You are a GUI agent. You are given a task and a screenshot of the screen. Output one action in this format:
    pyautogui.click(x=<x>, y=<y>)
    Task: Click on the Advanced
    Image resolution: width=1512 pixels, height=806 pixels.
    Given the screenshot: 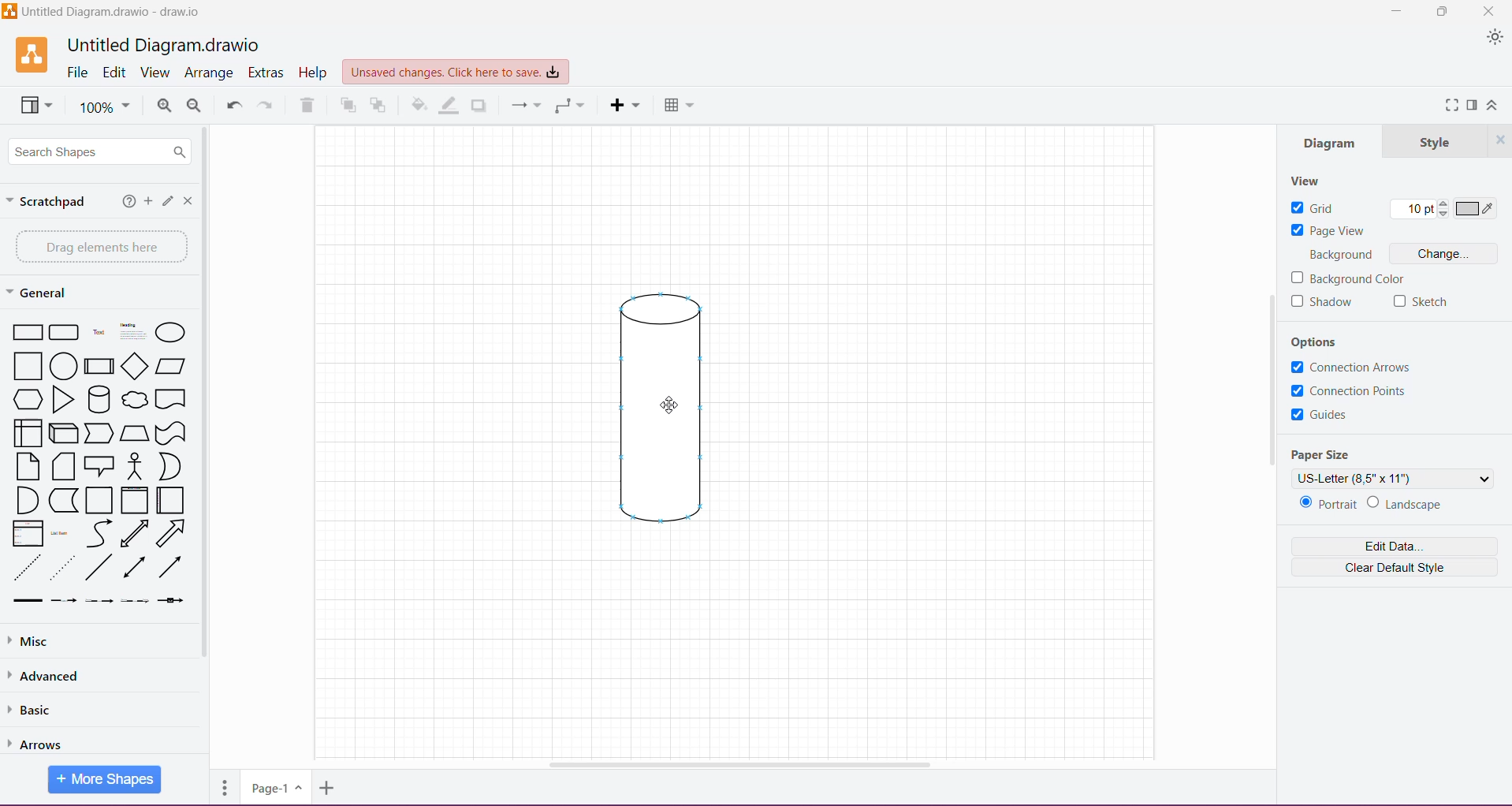 What is the action you would take?
    pyautogui.click(x=50, y=675)
    